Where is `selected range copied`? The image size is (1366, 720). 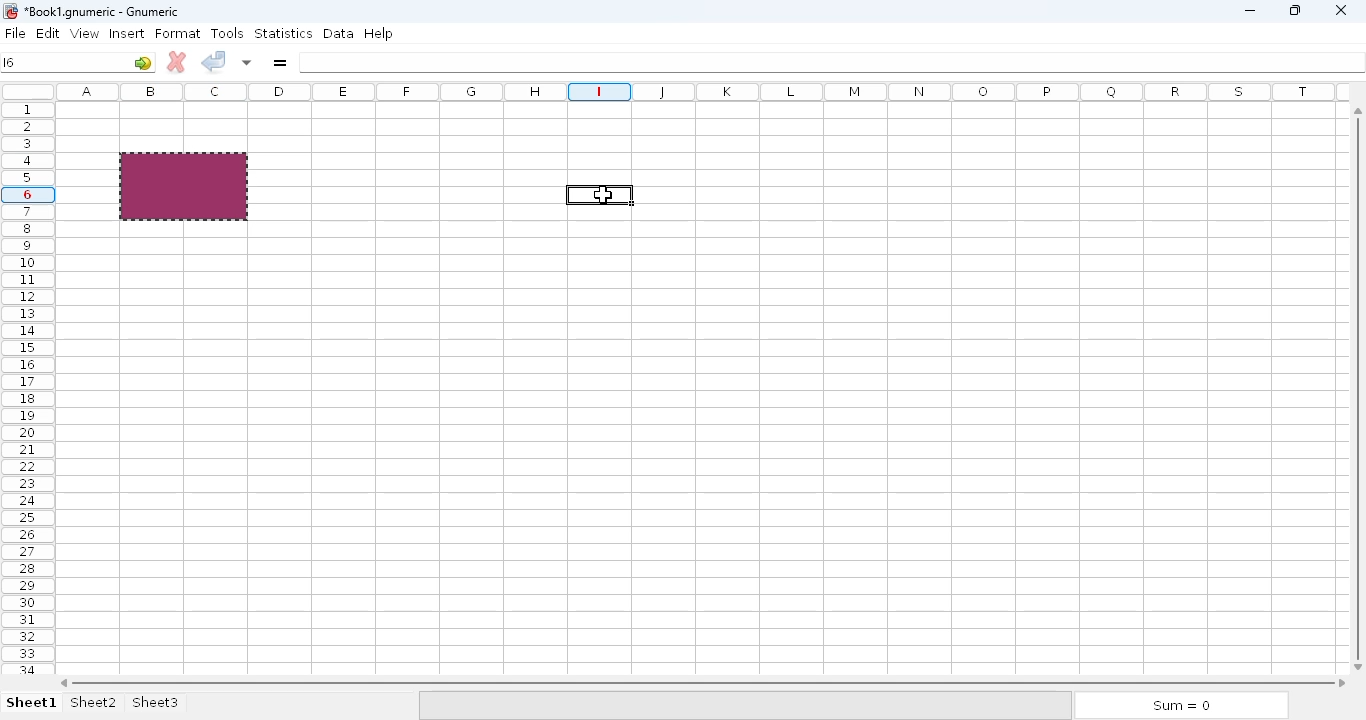
selected range copied is located at coordinates (184, 187).